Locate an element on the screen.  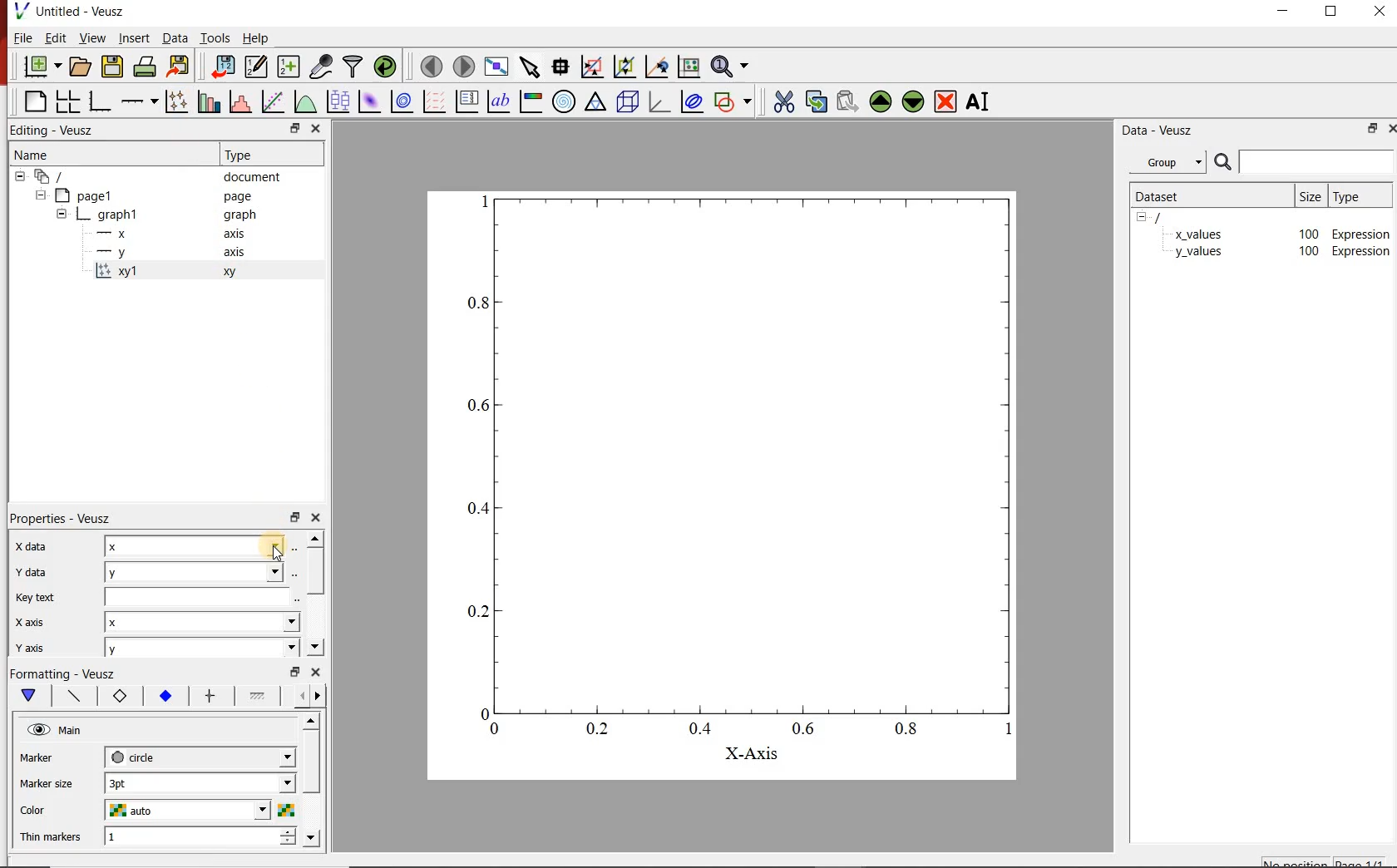
3d scene is located at coordinates (629, 104).